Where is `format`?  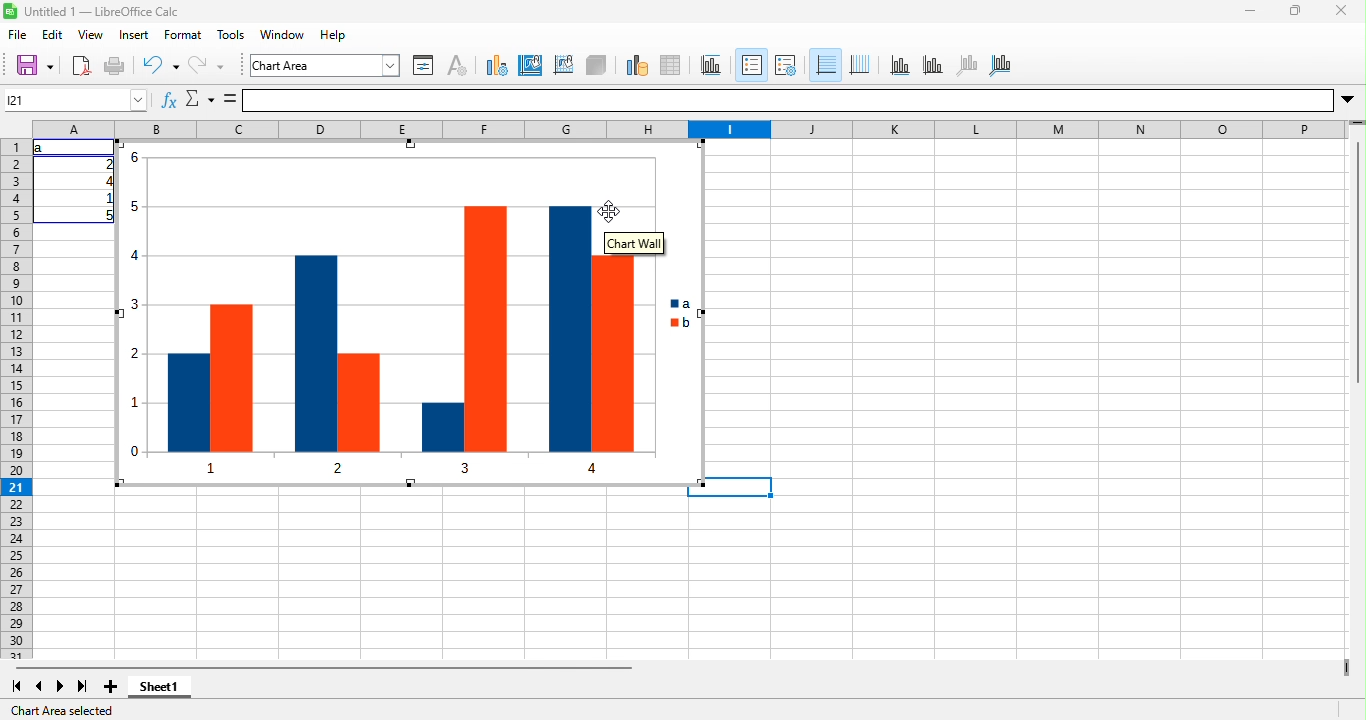
format is located at coordinates (183, 34).